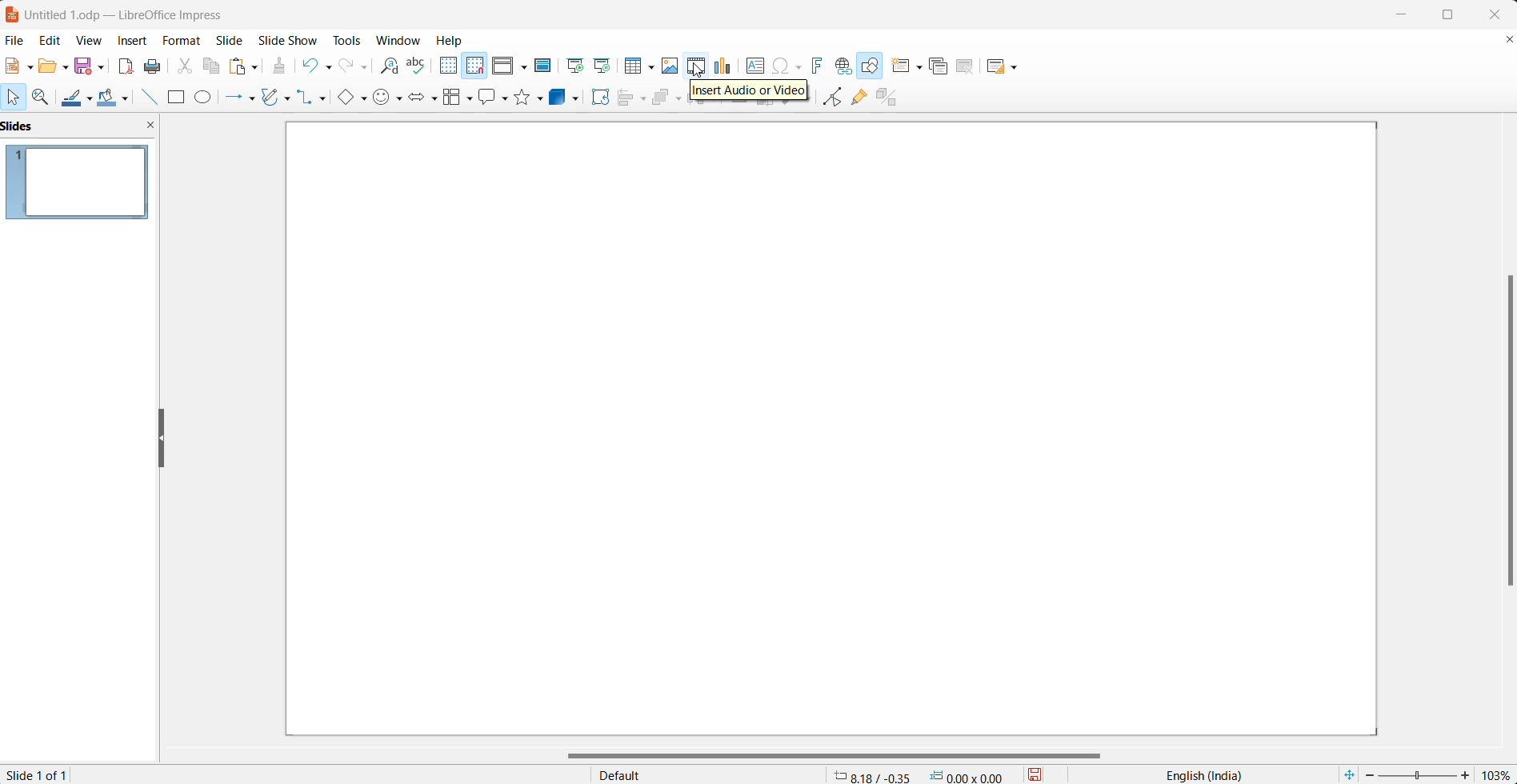 Image resolution: width=1517 pixels, height=784 pixels. Describe the element at coordinates (490, 97) in the screenshot. I see `callout shapes` at that location.